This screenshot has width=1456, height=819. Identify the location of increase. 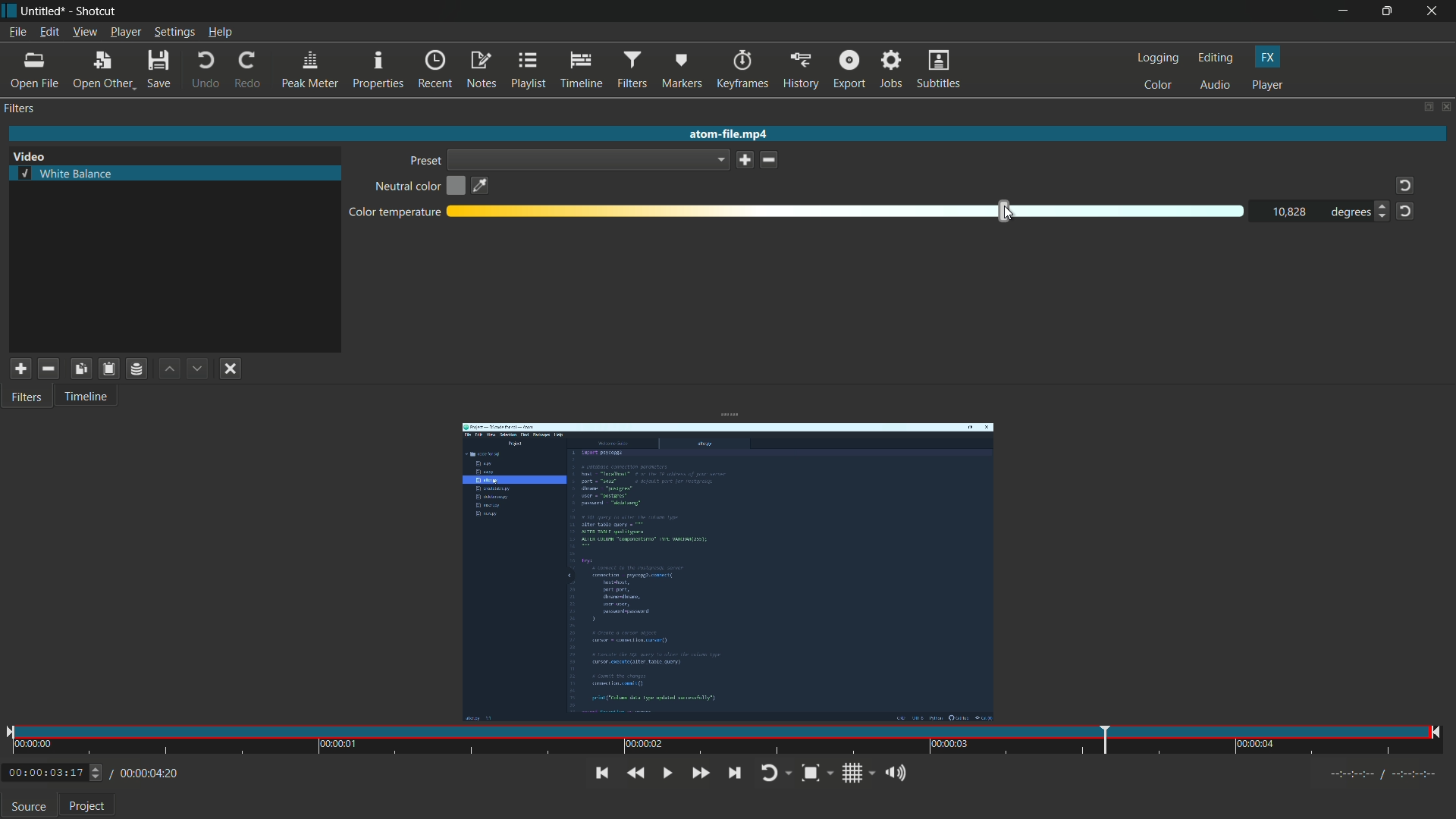
(1380, 206).